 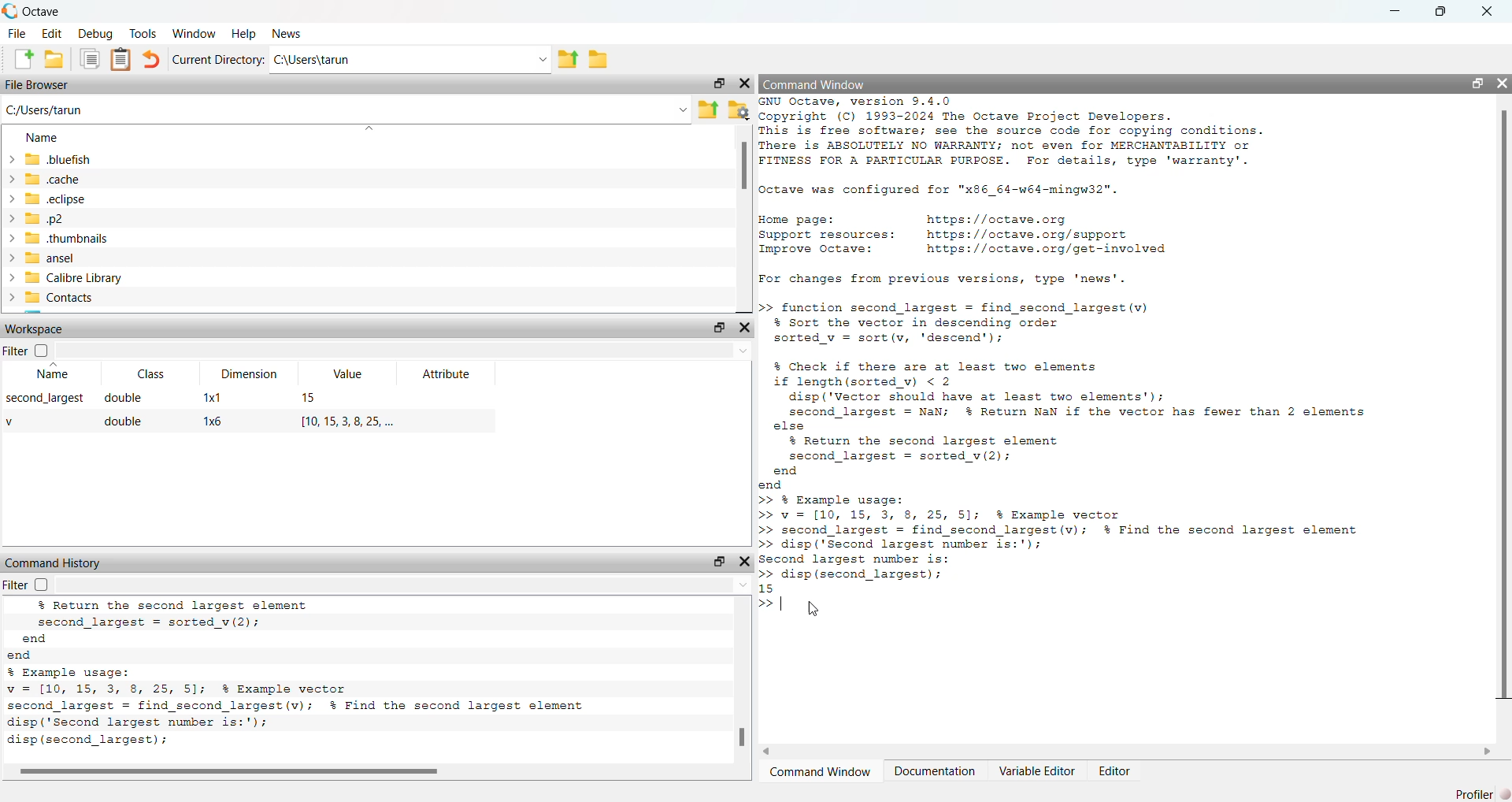 I want to click on tools, so click(x=144, y=32).